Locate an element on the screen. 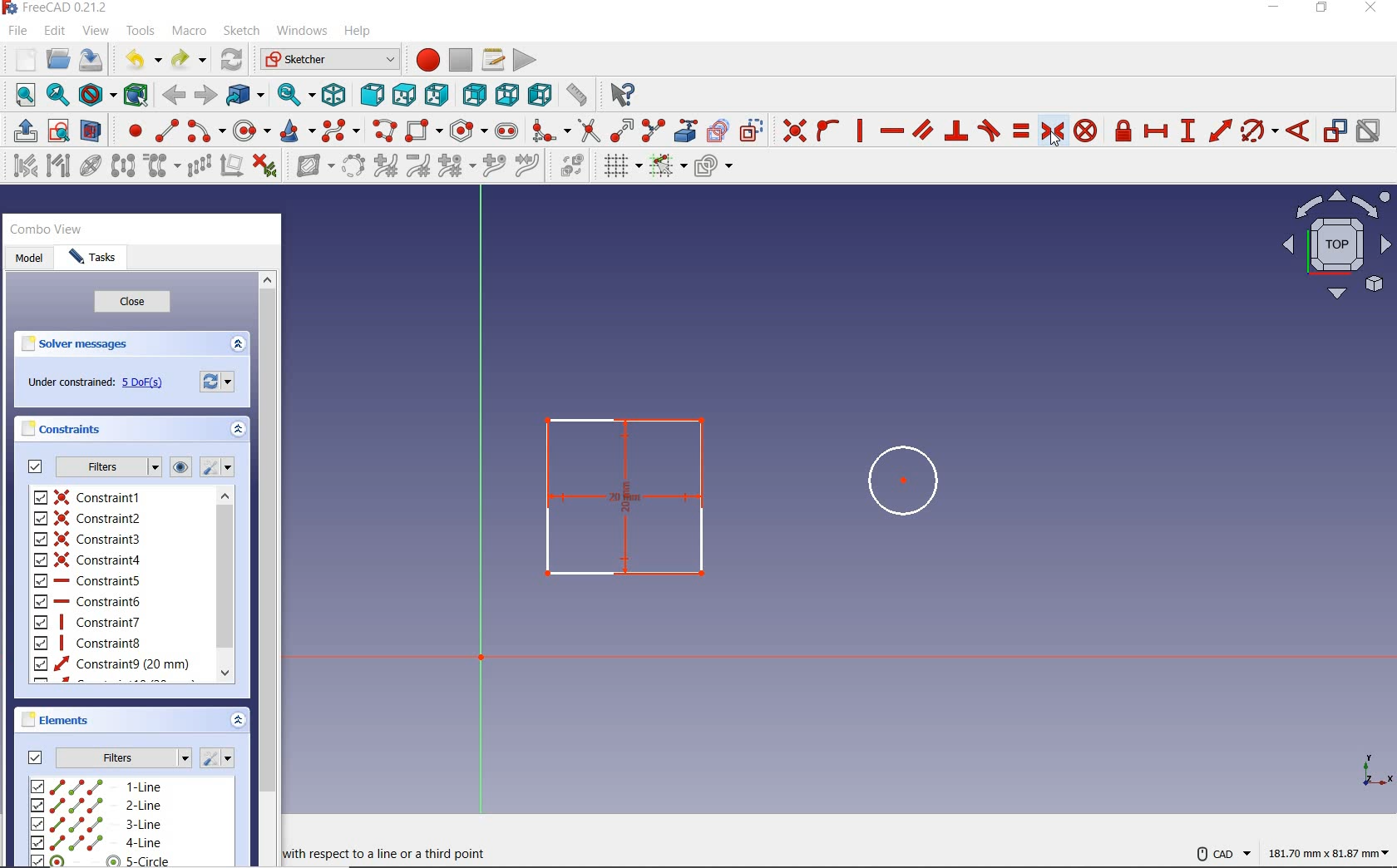  show or hide all listed constraints in 3D view is located at coordinates (181, 466).